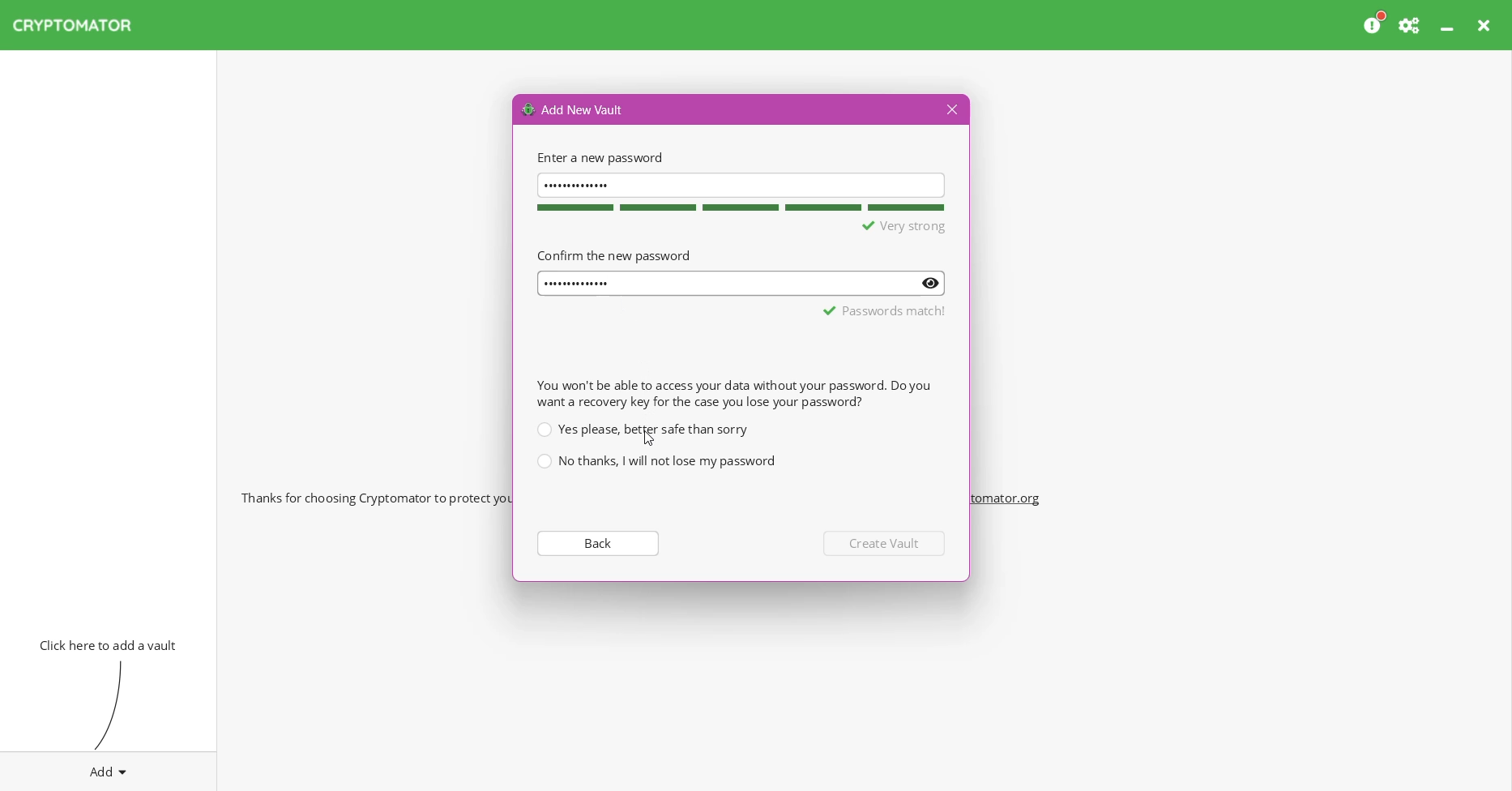  Describe the element at coordinates (1449, 25) in the screenshot. I see `Minimize` at that location.